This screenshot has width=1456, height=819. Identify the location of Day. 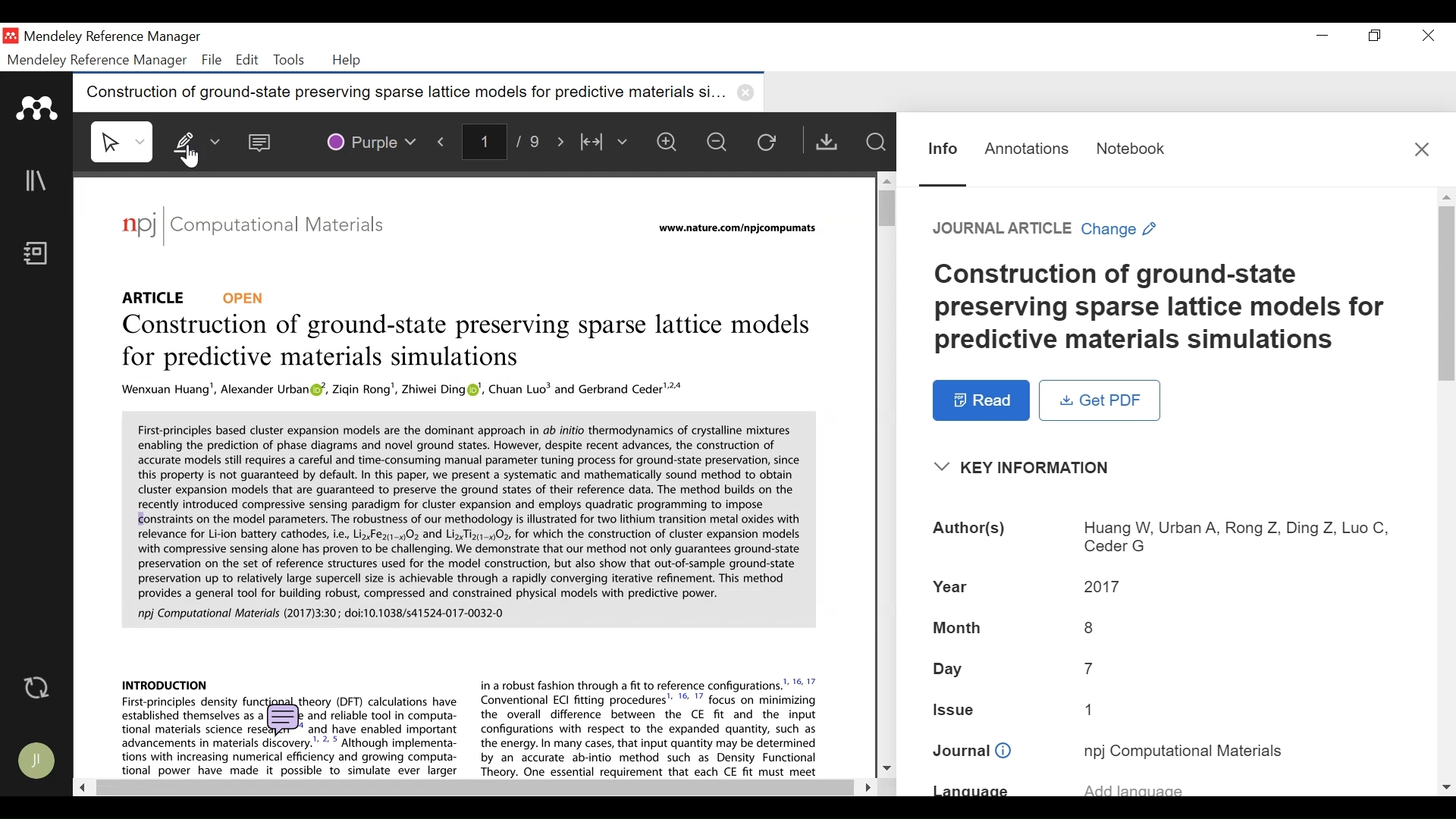
(1090, 668).